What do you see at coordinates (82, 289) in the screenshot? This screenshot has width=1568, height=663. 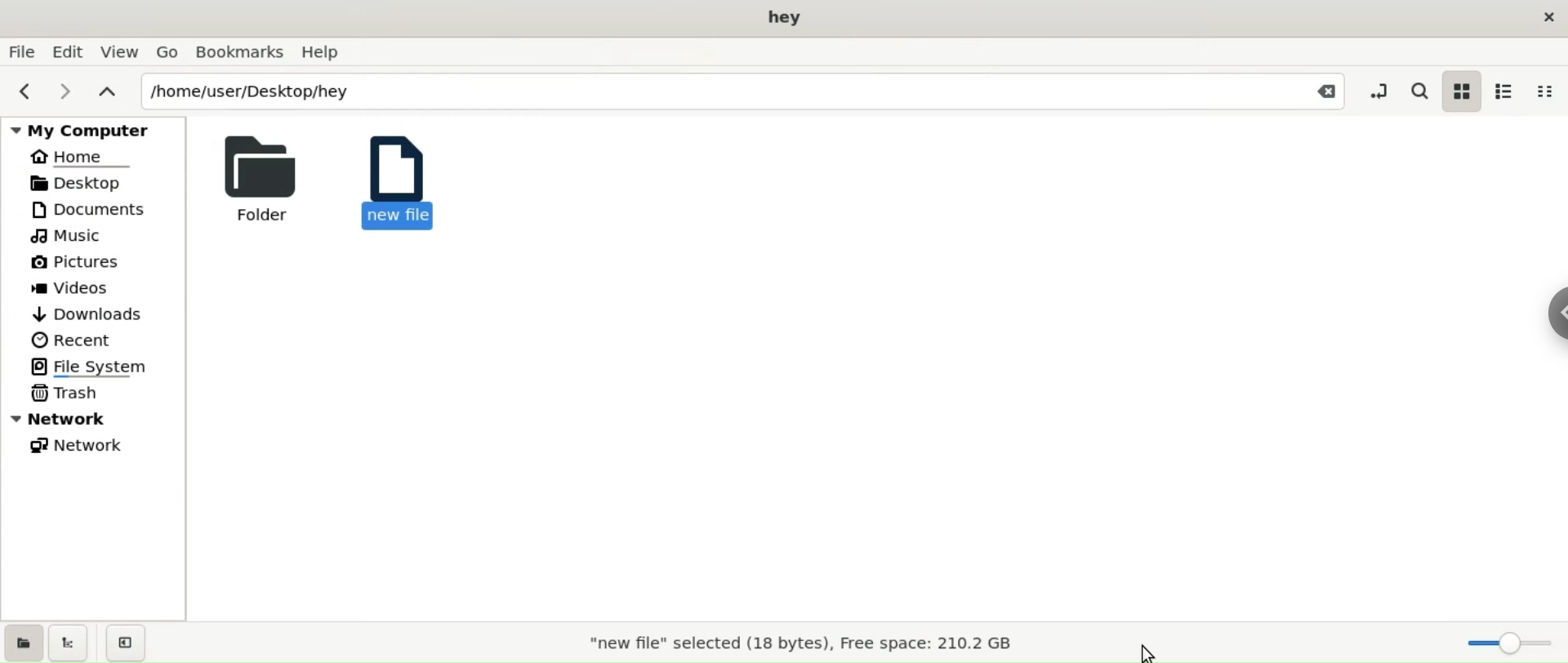 I see `Videos` at bounding box center [82, 289].